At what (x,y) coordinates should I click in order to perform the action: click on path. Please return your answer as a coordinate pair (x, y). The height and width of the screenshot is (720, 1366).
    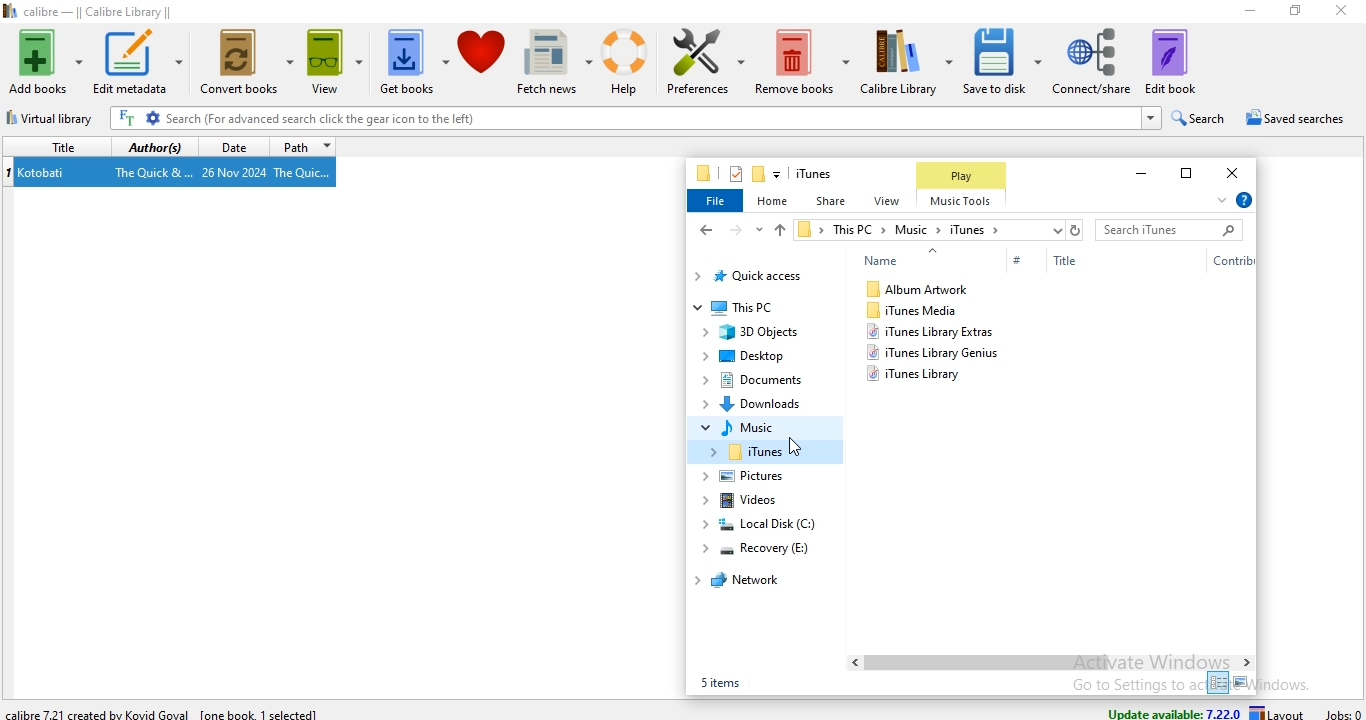
    Looking at the image, I should click on (305, 146).